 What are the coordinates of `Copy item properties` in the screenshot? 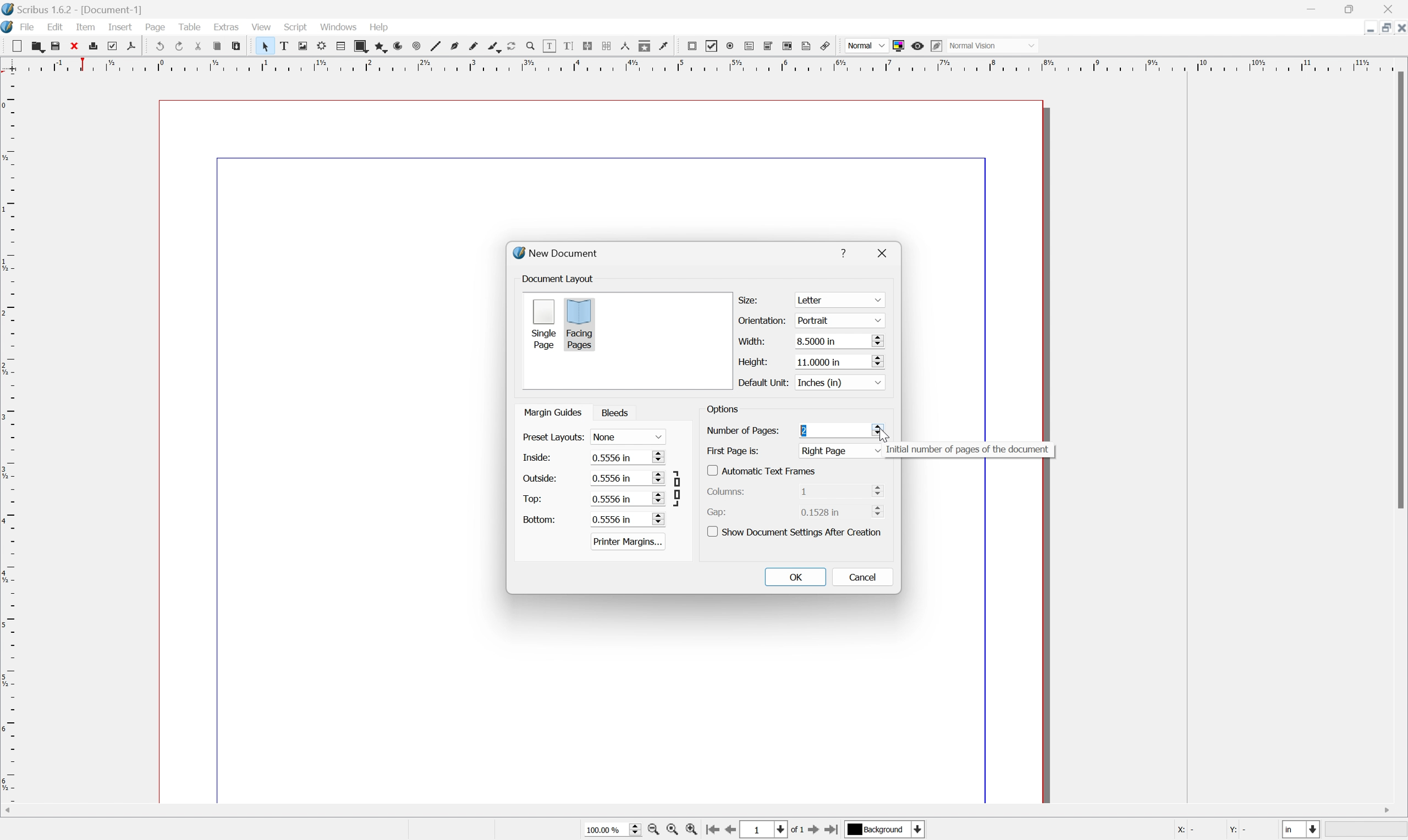 It's located at (645, 46).